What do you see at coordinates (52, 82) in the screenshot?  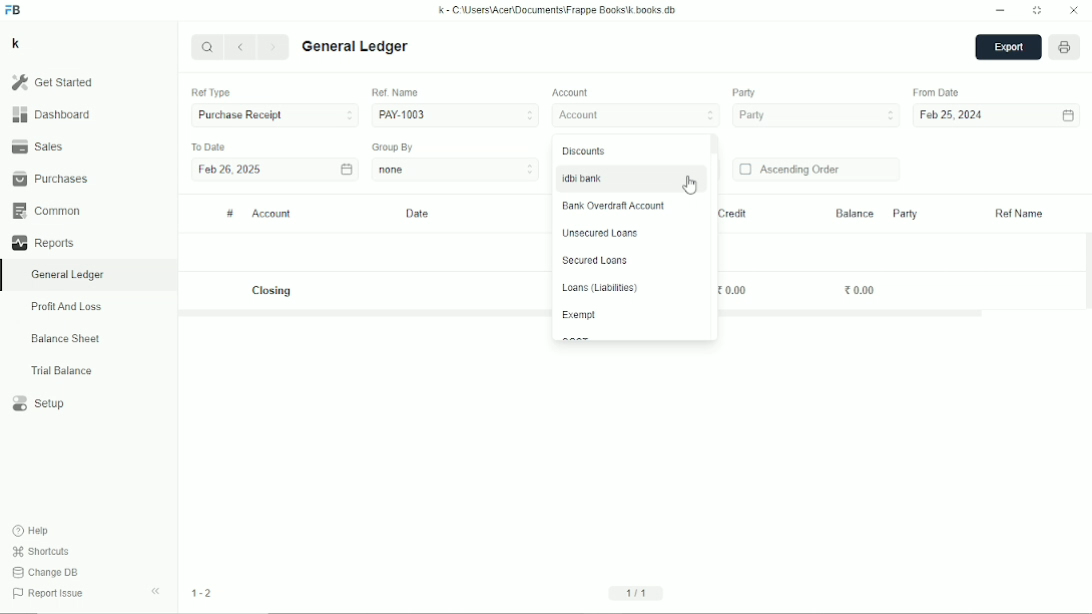 I see `Get started` at bounding box center [52, 82].